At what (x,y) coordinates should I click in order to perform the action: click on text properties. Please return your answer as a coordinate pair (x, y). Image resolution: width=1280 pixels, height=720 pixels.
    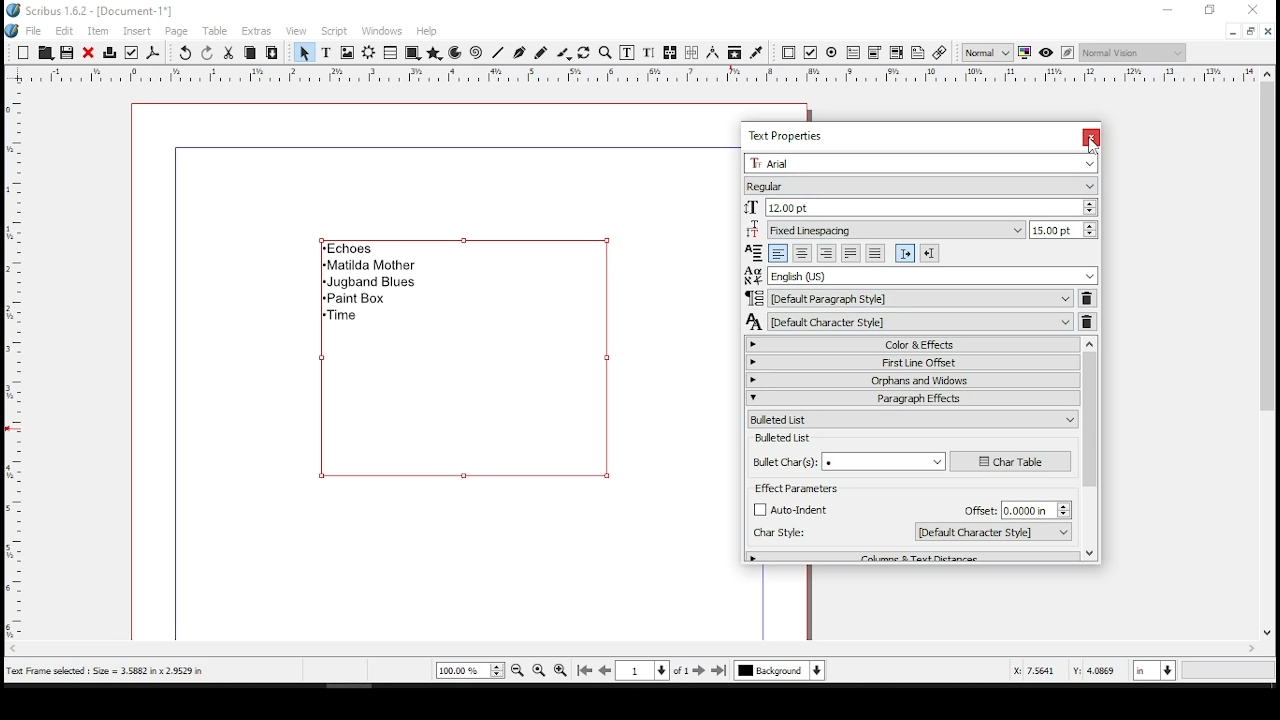
    Looking at the image, I should click on (790, 134).